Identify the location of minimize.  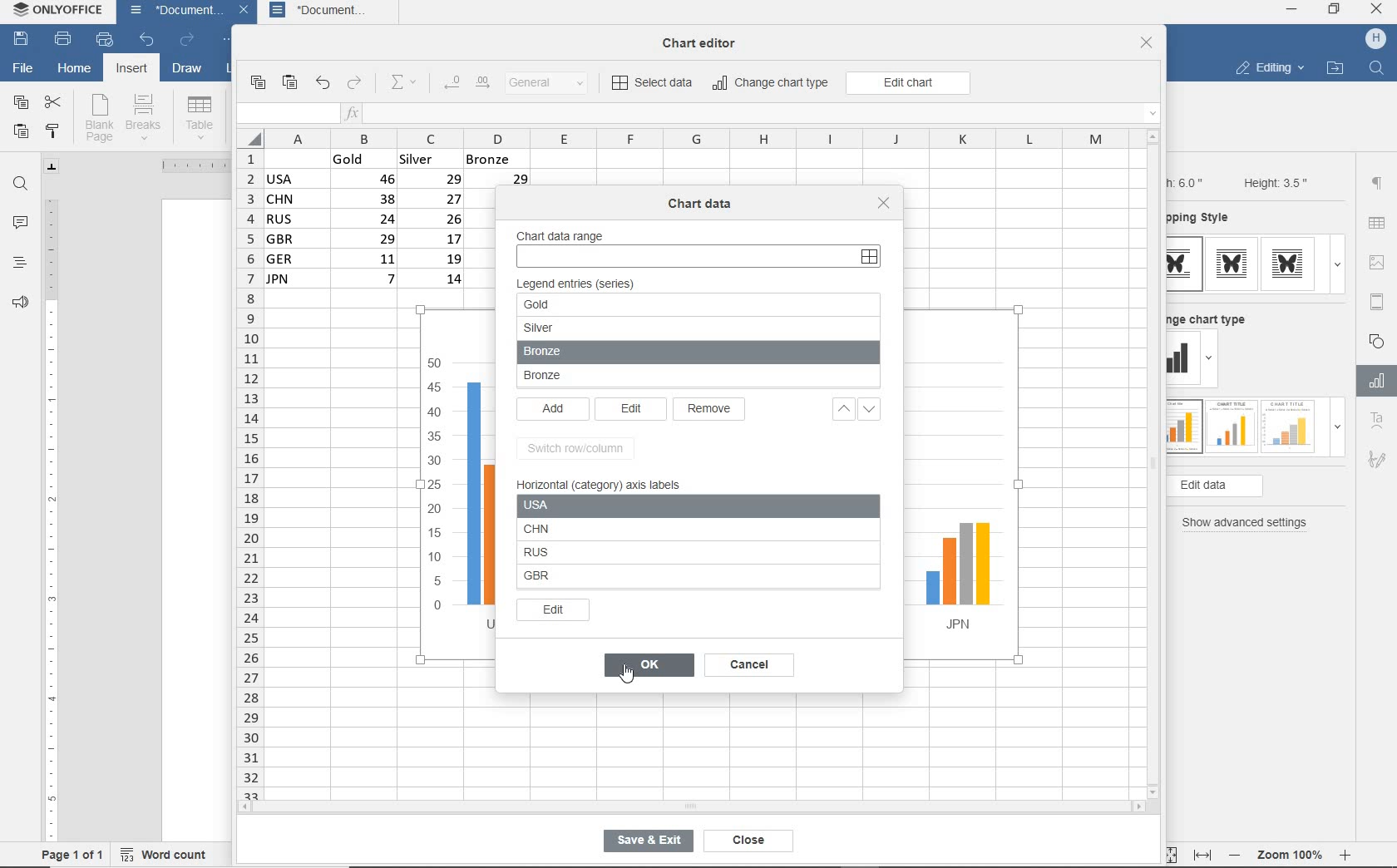
(1292, 9).